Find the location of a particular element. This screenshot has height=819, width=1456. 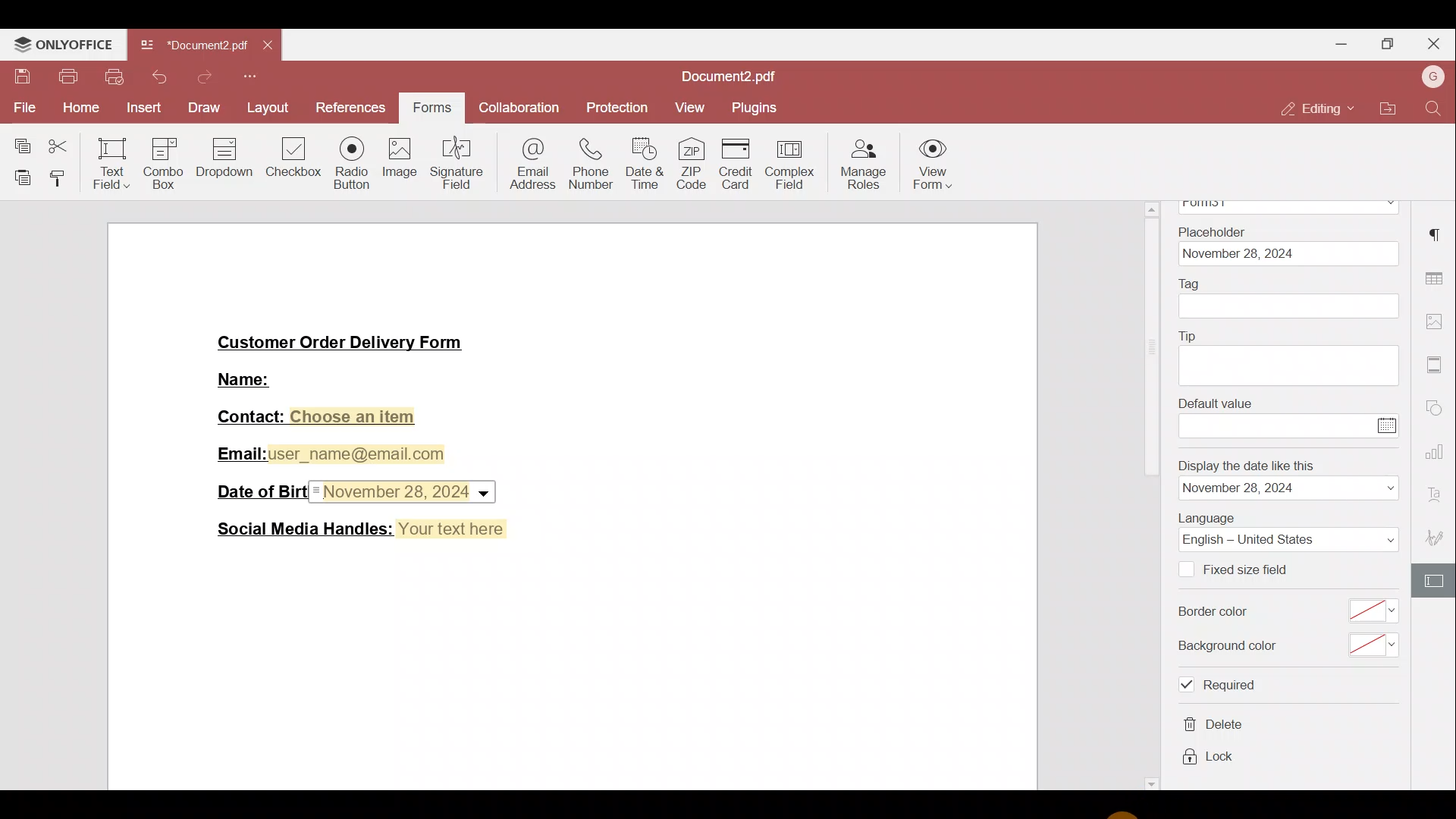

Font settings is located at coordinates (1436, 496).